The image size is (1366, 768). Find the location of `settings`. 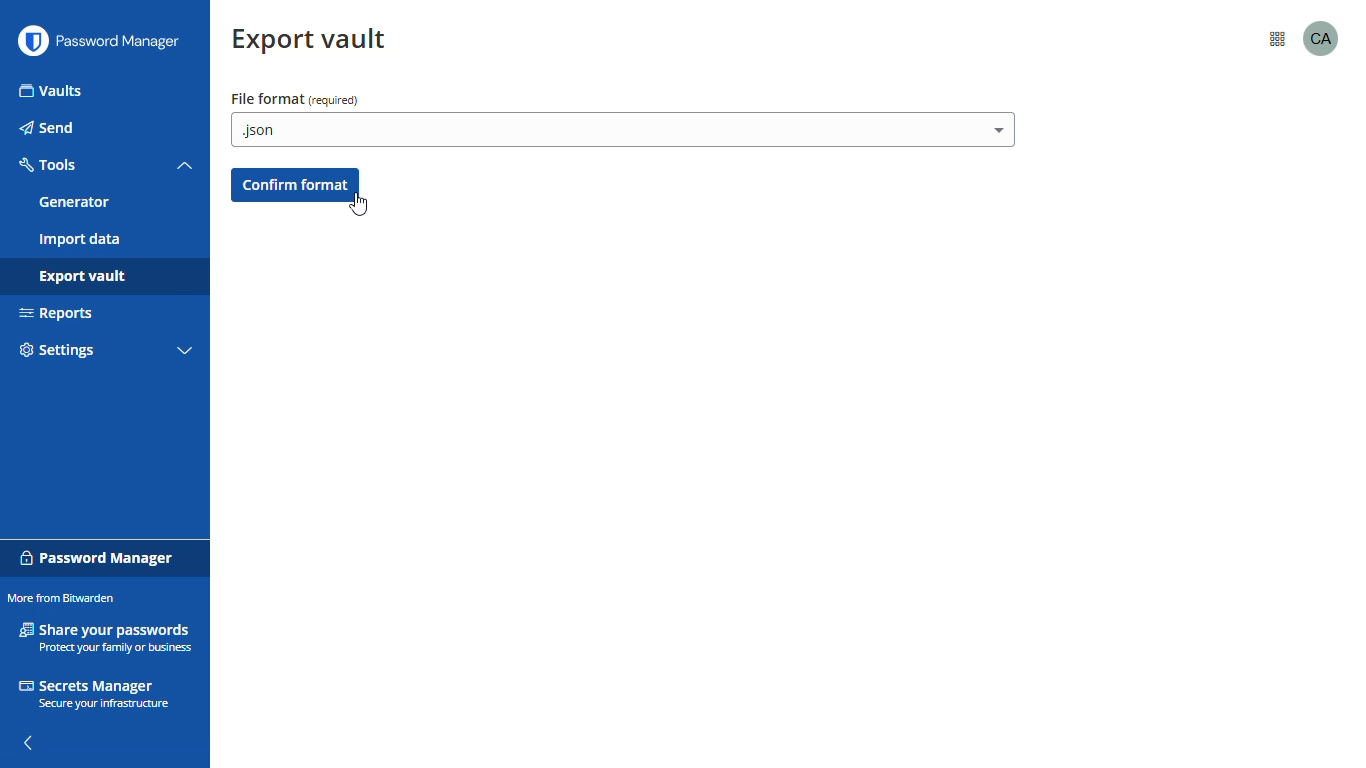

settings is located at coordinates (57, 351).